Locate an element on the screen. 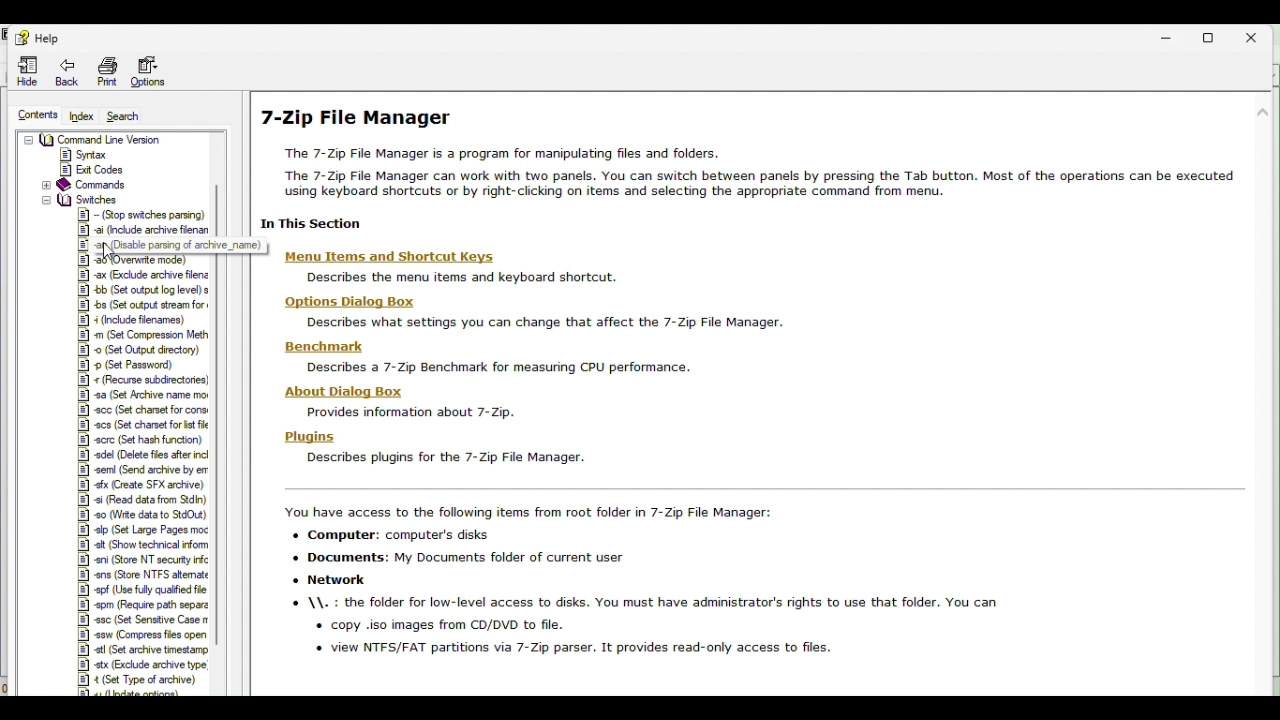 The height and width of the screenshot is (720, 1280). overwrte mode) is located at coordinates (137, 261).